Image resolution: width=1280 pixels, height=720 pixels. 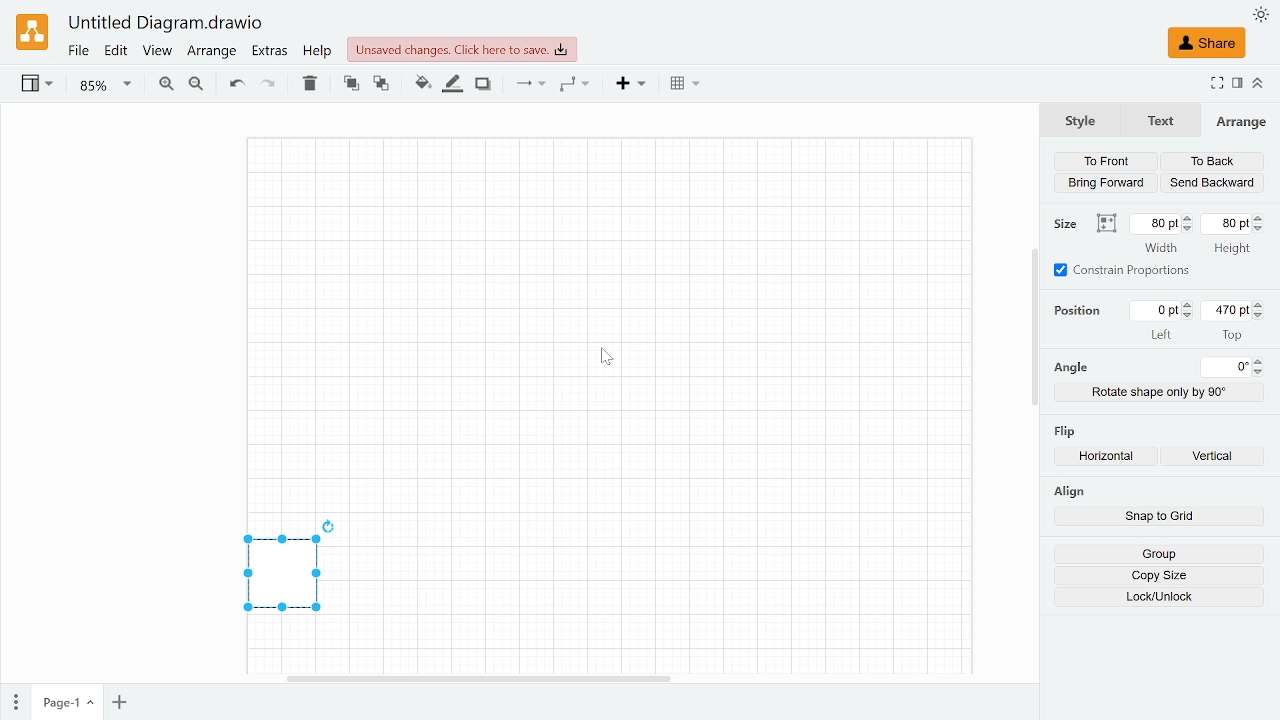 I want to click on To back, so click(x=382, y=85).